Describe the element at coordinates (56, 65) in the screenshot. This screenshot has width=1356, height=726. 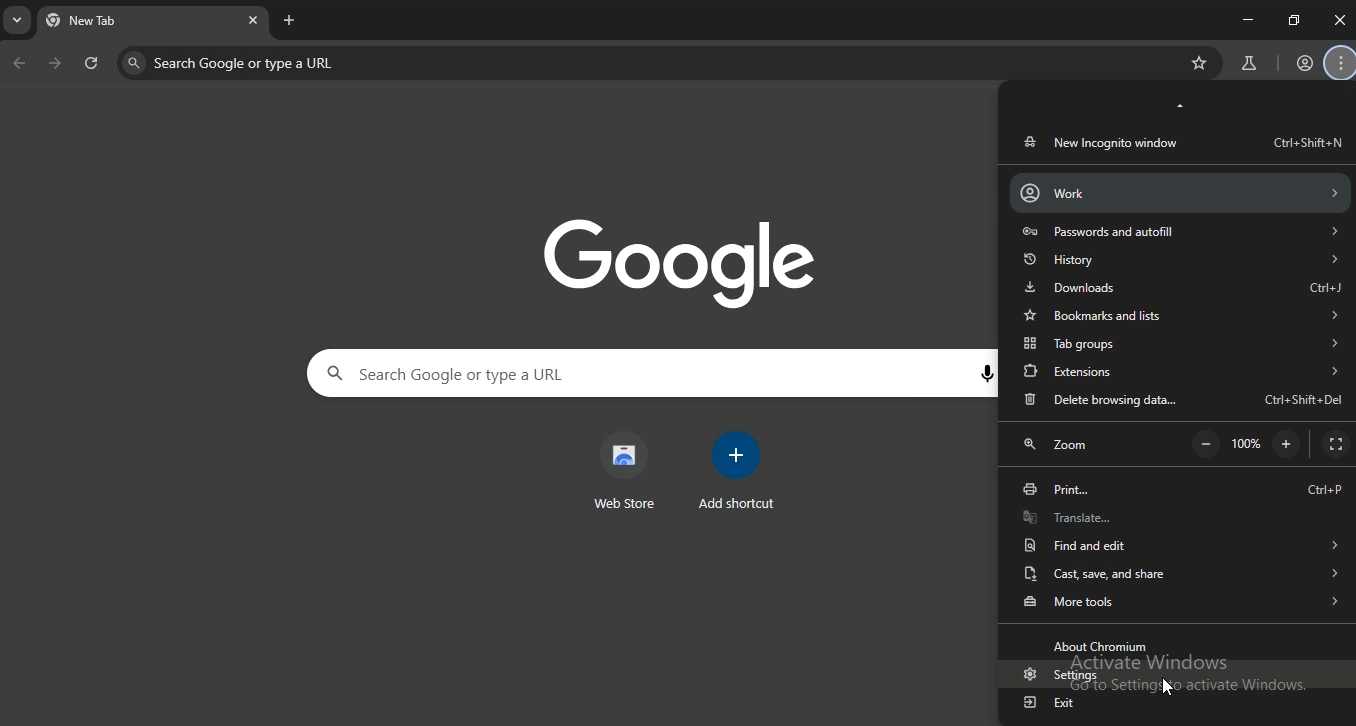
I see `next page` at that location.